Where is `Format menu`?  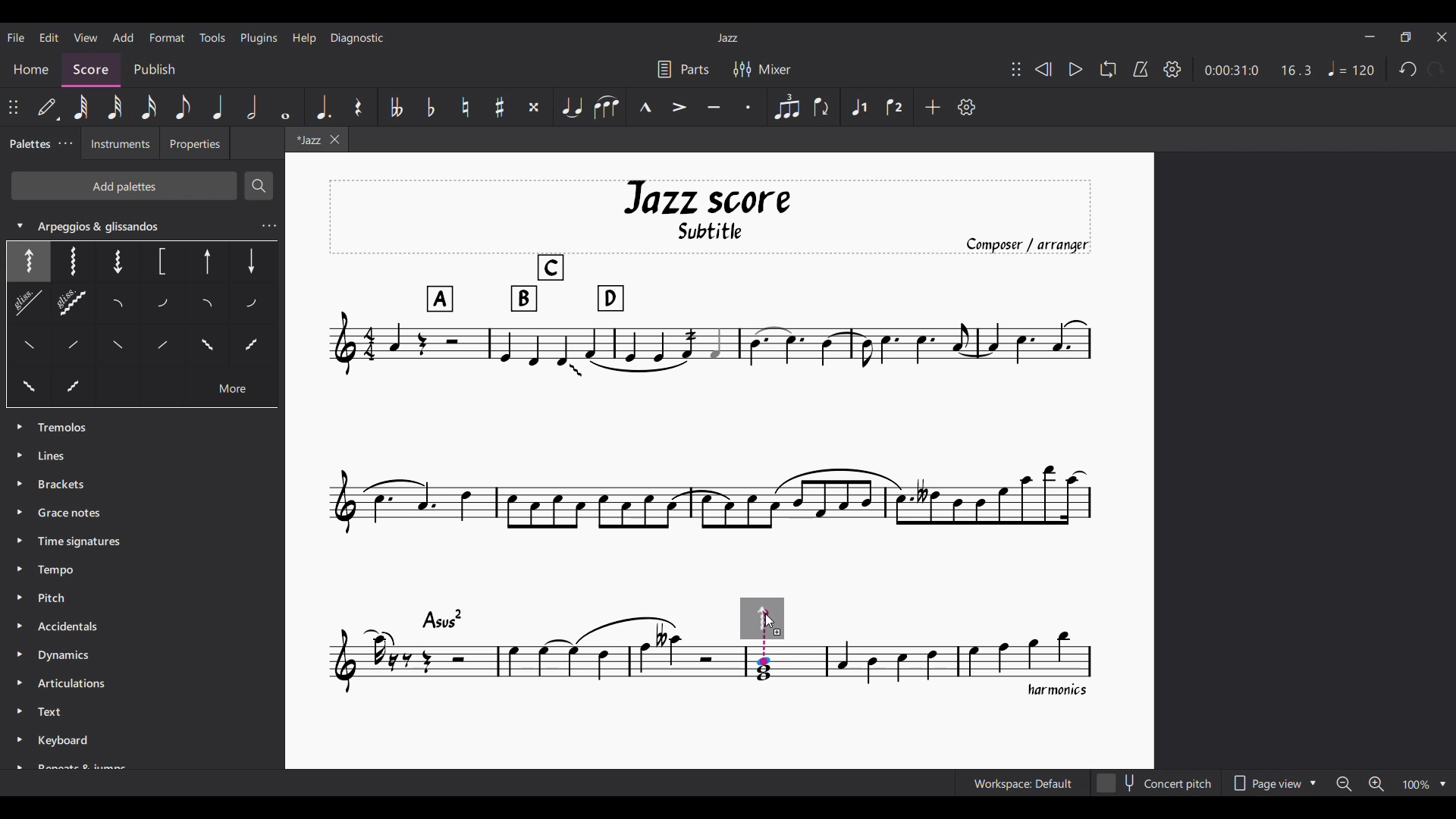
Format menu is located at coordinates (168, 37).